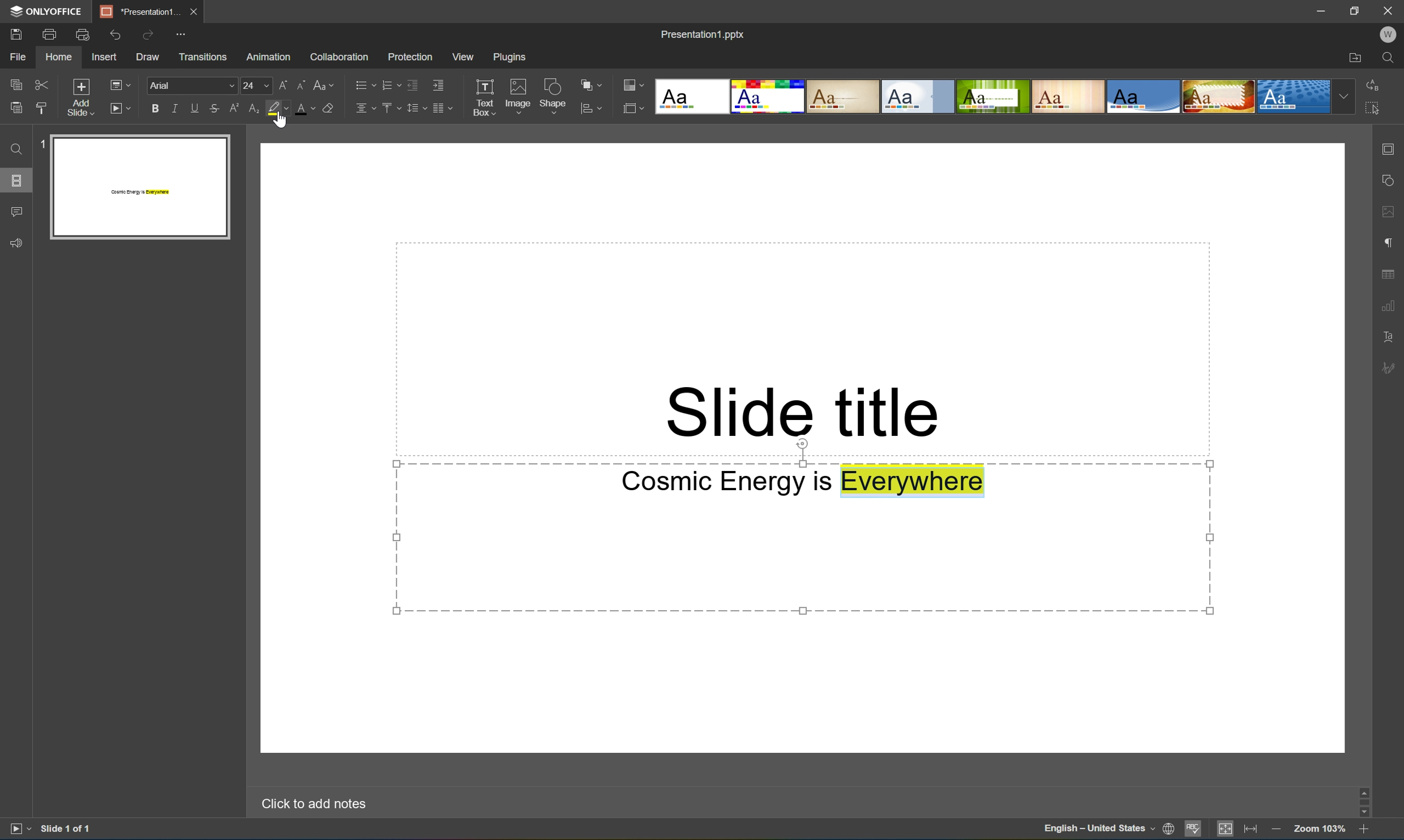 This screenshot has height=840, width=1404. I want to click on Slides, so click(18, 178).